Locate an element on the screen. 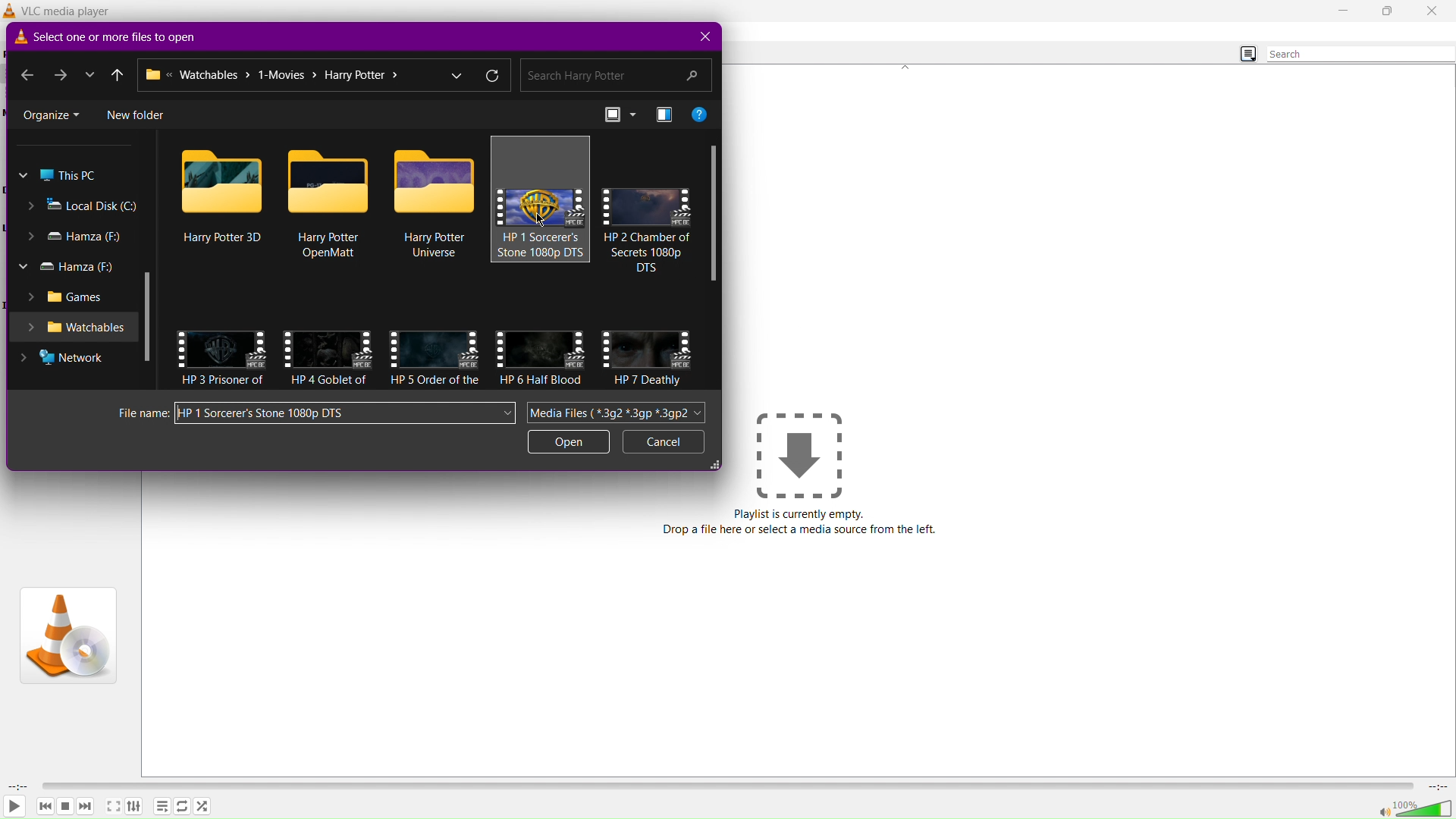  Search Bar is located at coordinates (616, 75).